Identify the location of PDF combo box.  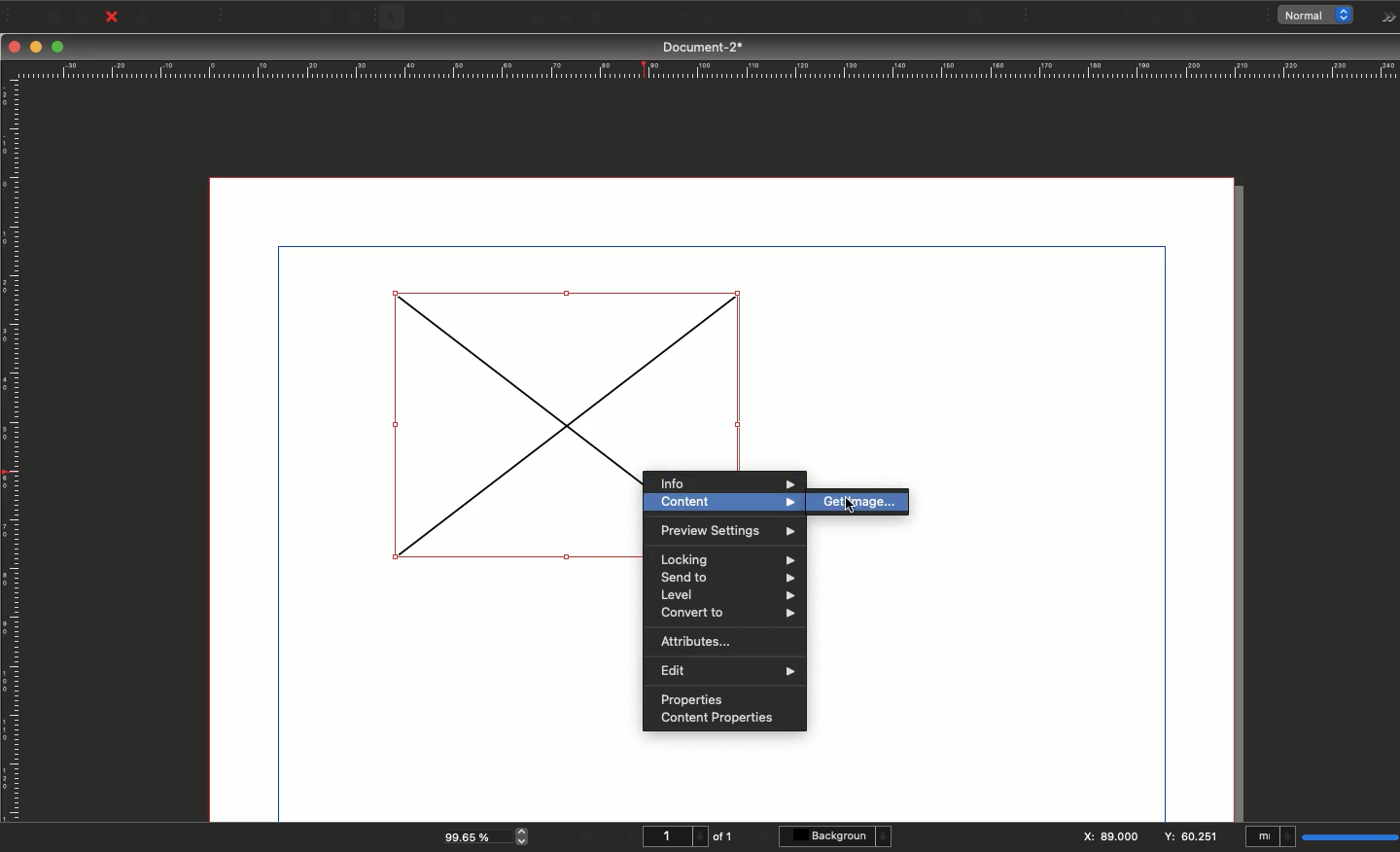
(1157, 18).